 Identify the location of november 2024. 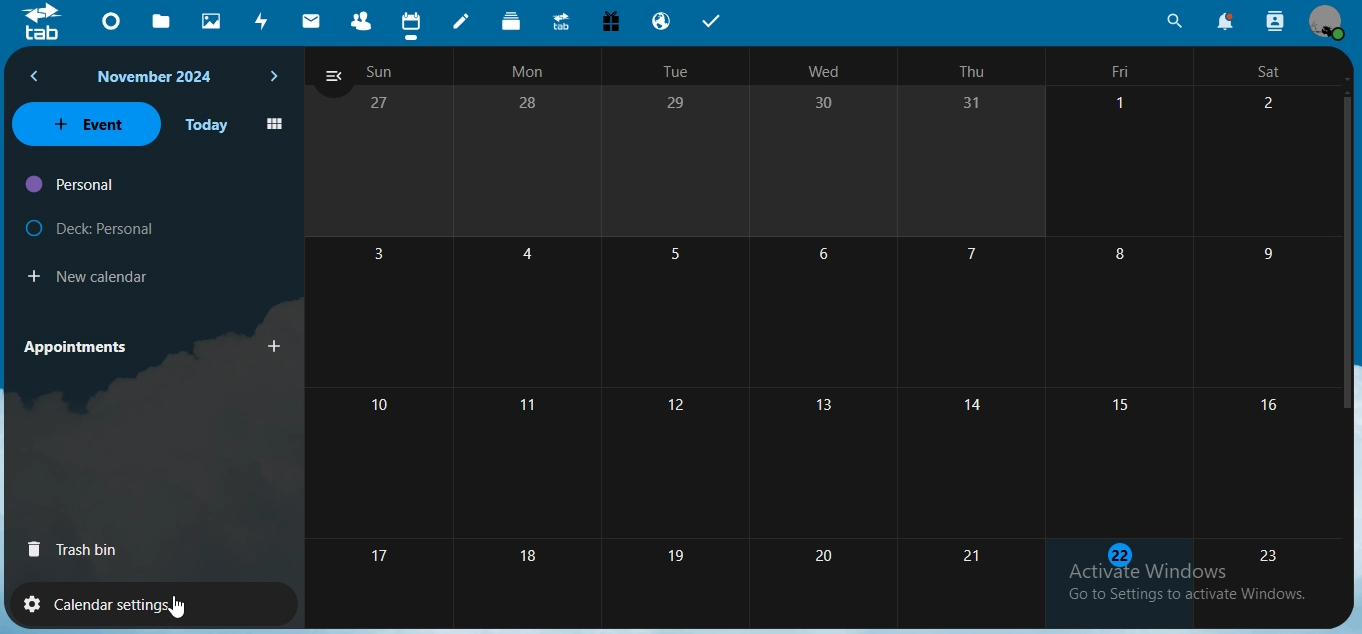
(159, 77).